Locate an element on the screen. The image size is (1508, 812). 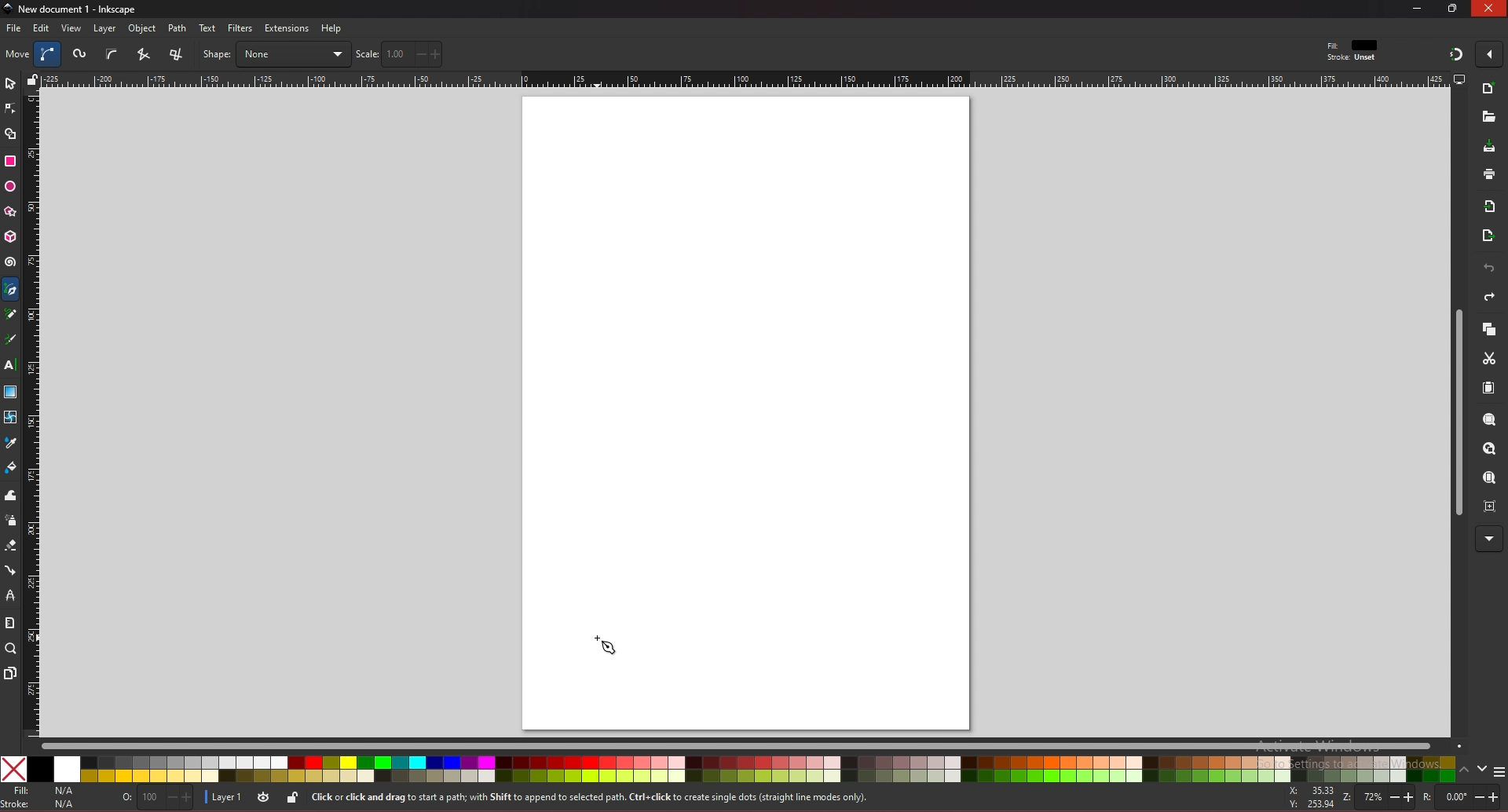
measure is located at coordinates (9, 623).